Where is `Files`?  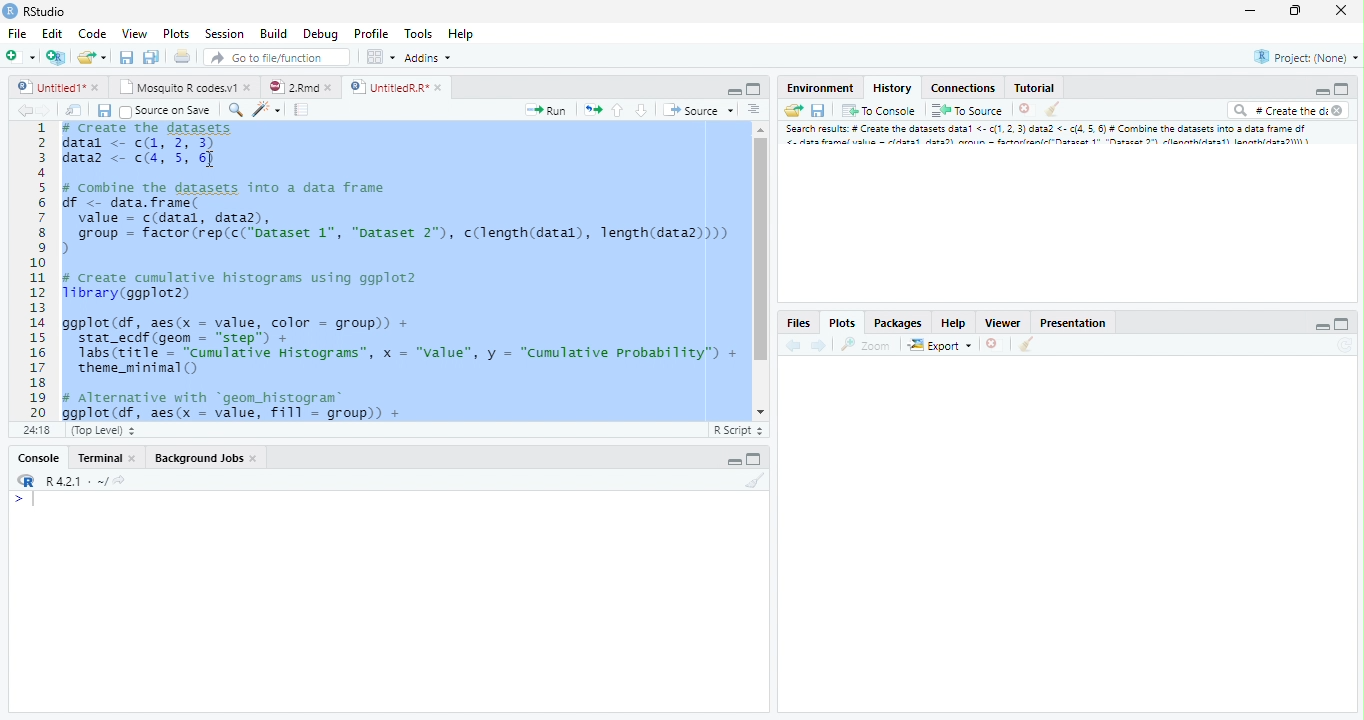
Files is located at coordinates (798, 321).